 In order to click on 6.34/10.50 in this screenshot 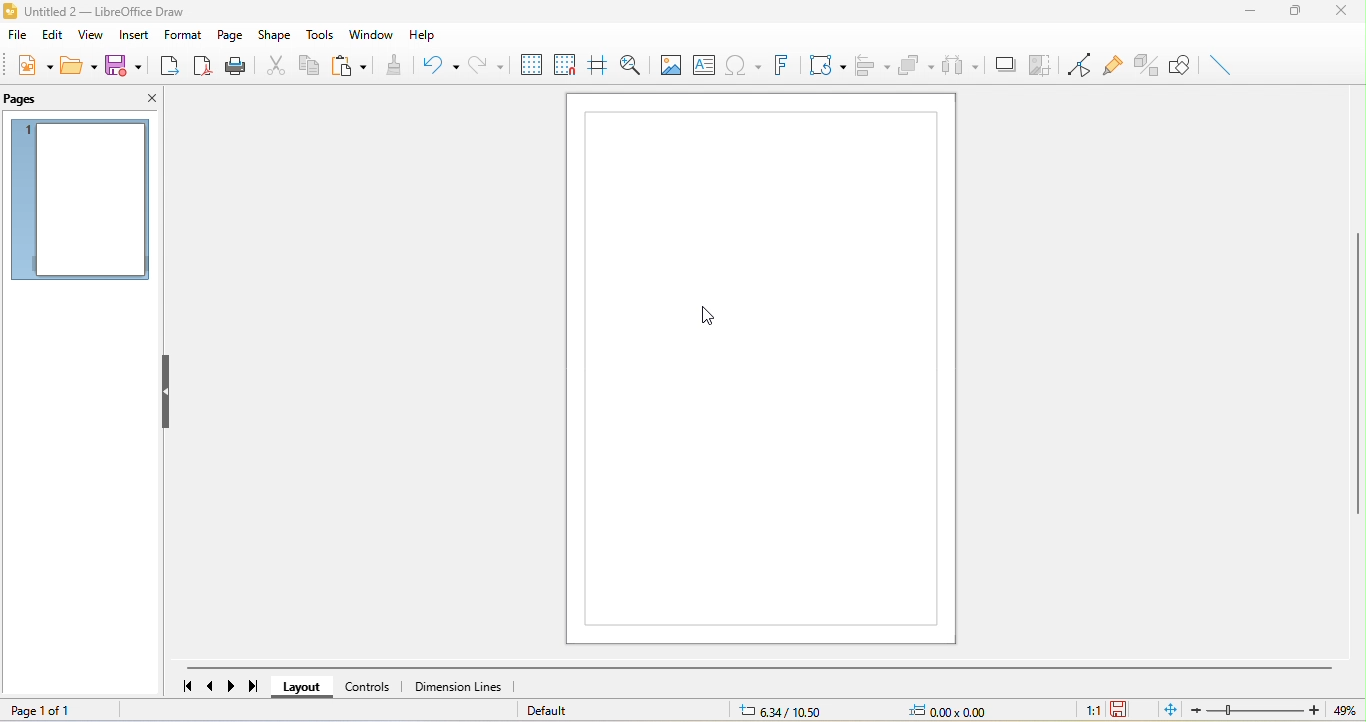, I will do `click(794, 711)`.